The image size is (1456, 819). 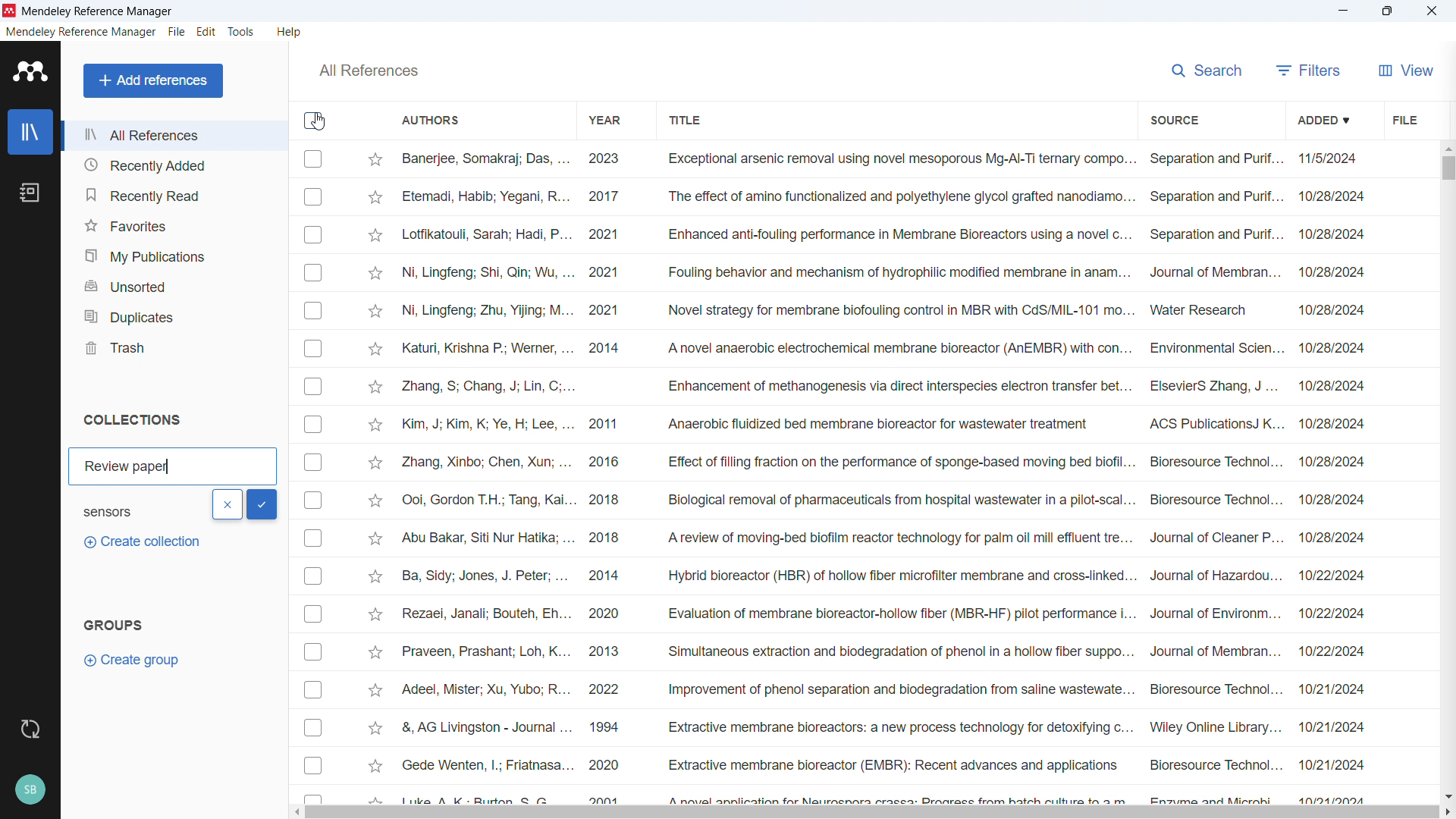 What do you see at coordinates (375, 236) in the screenshot?
I see `Star mark respective publication` at bounding box center [375, 236].